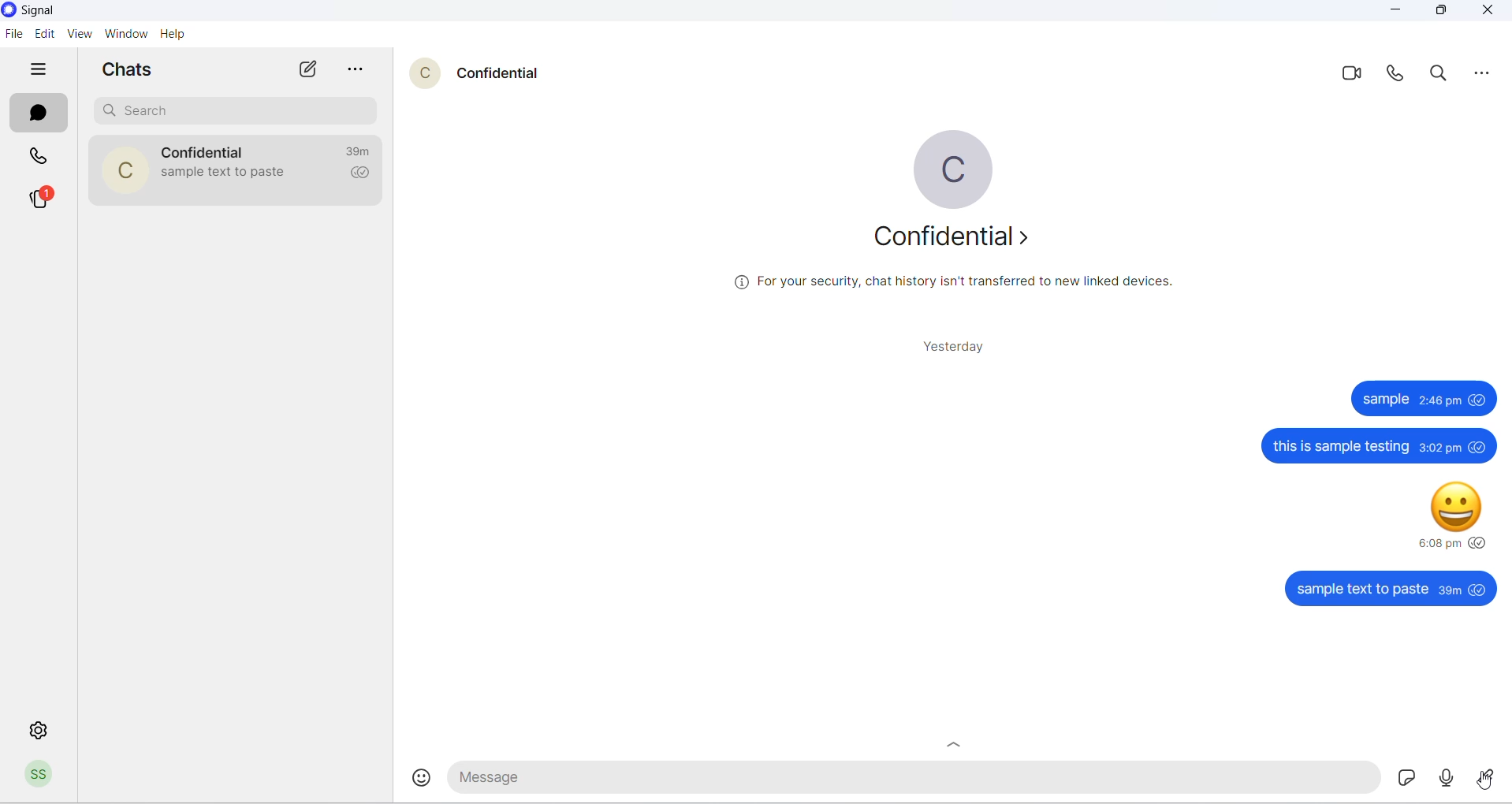 The image size is (1512, 804). What do you see at coordinates (36, 114) in the screenshot?
I see `chats` at bounding box center [36, 114].